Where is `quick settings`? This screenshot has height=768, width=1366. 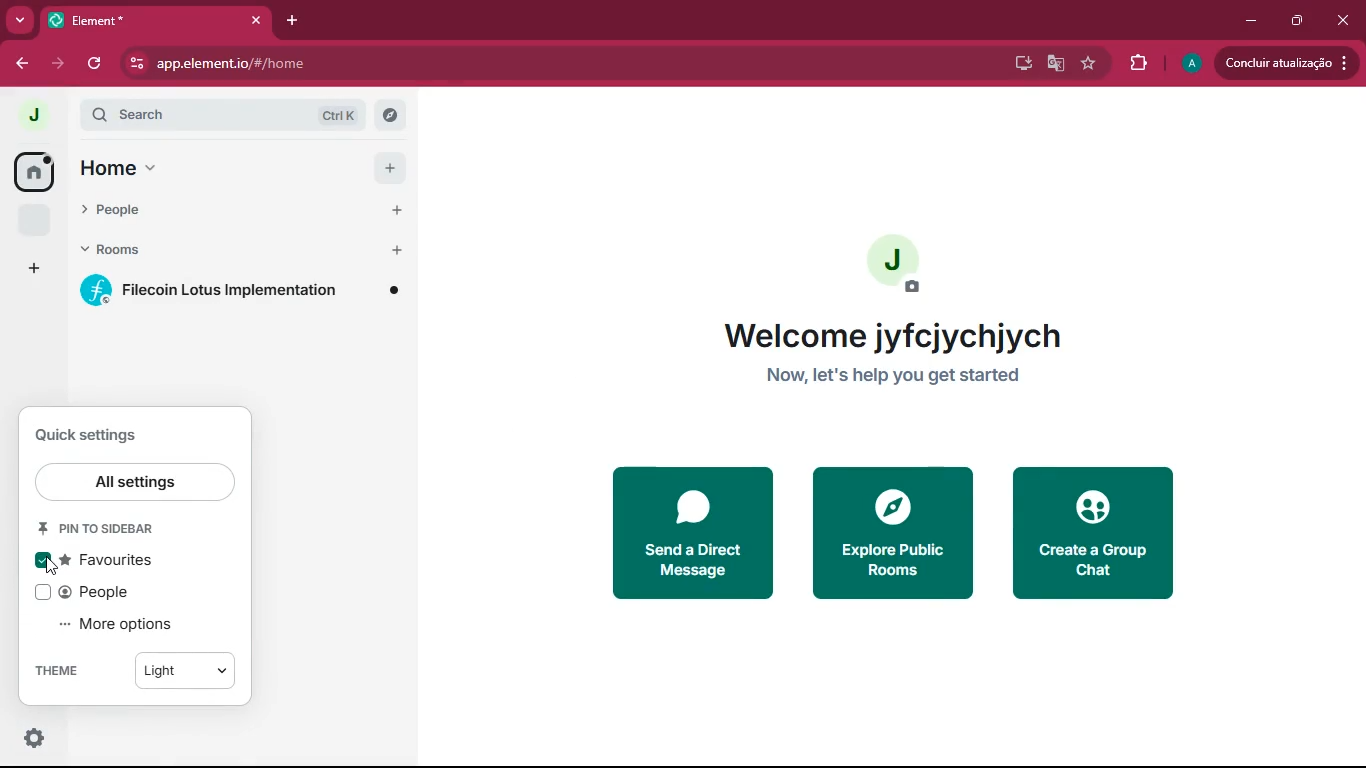 quick settings is located at coordinates (90, 436).